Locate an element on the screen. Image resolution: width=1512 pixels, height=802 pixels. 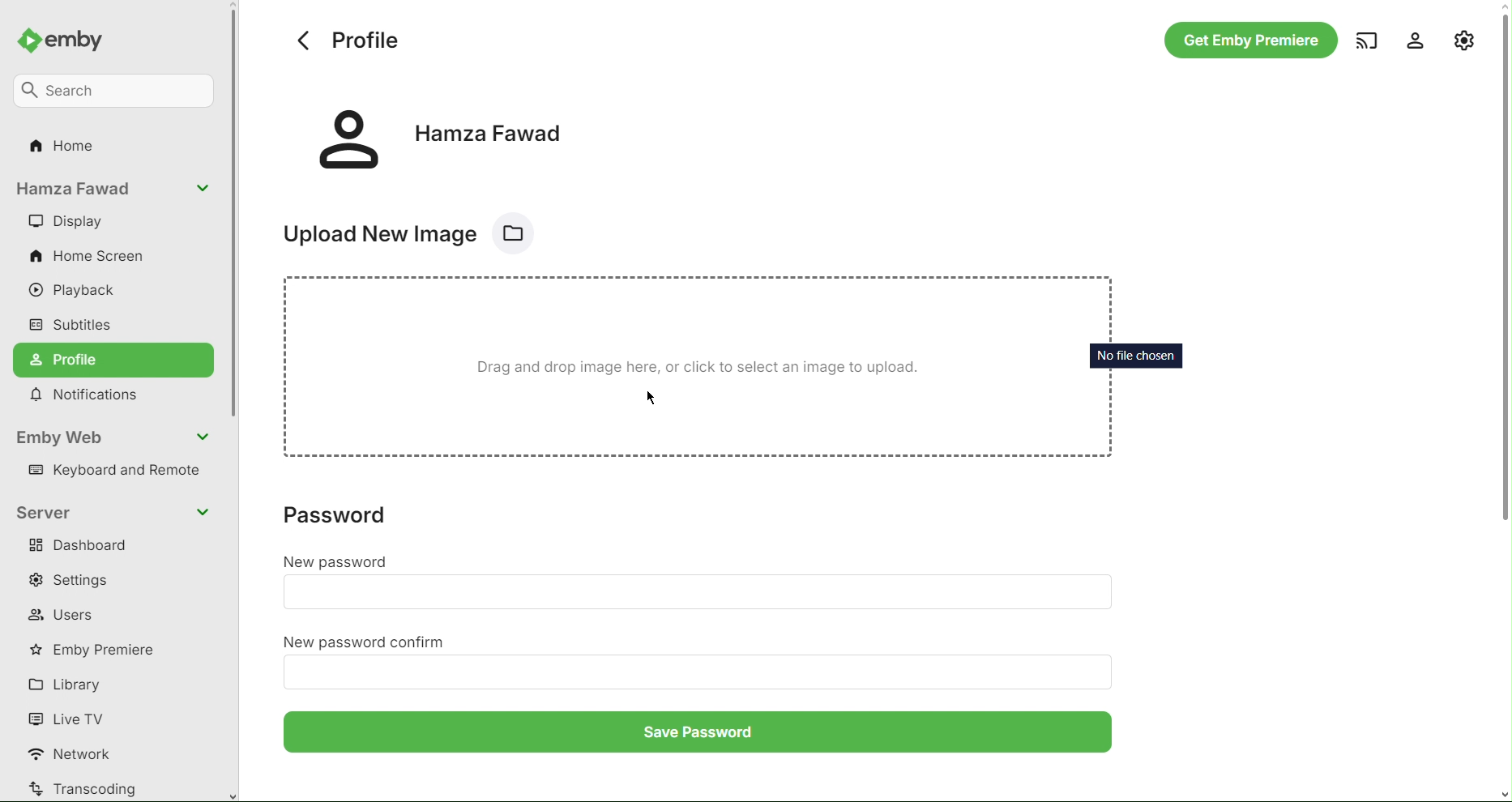
New Password is located at coordinates (336, 561).